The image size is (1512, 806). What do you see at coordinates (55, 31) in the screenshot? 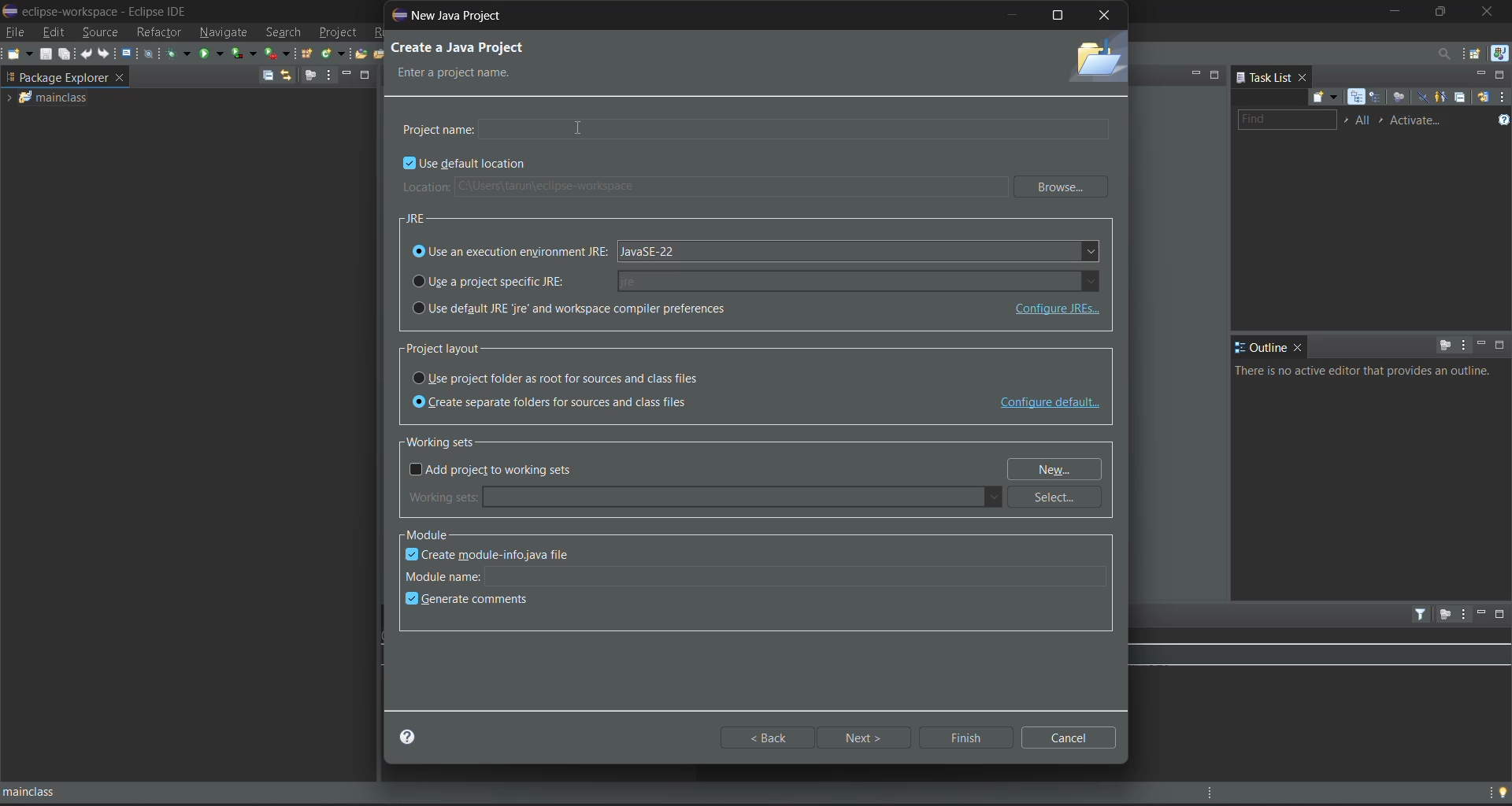
I see `edit` at bounding box center [55, 31].